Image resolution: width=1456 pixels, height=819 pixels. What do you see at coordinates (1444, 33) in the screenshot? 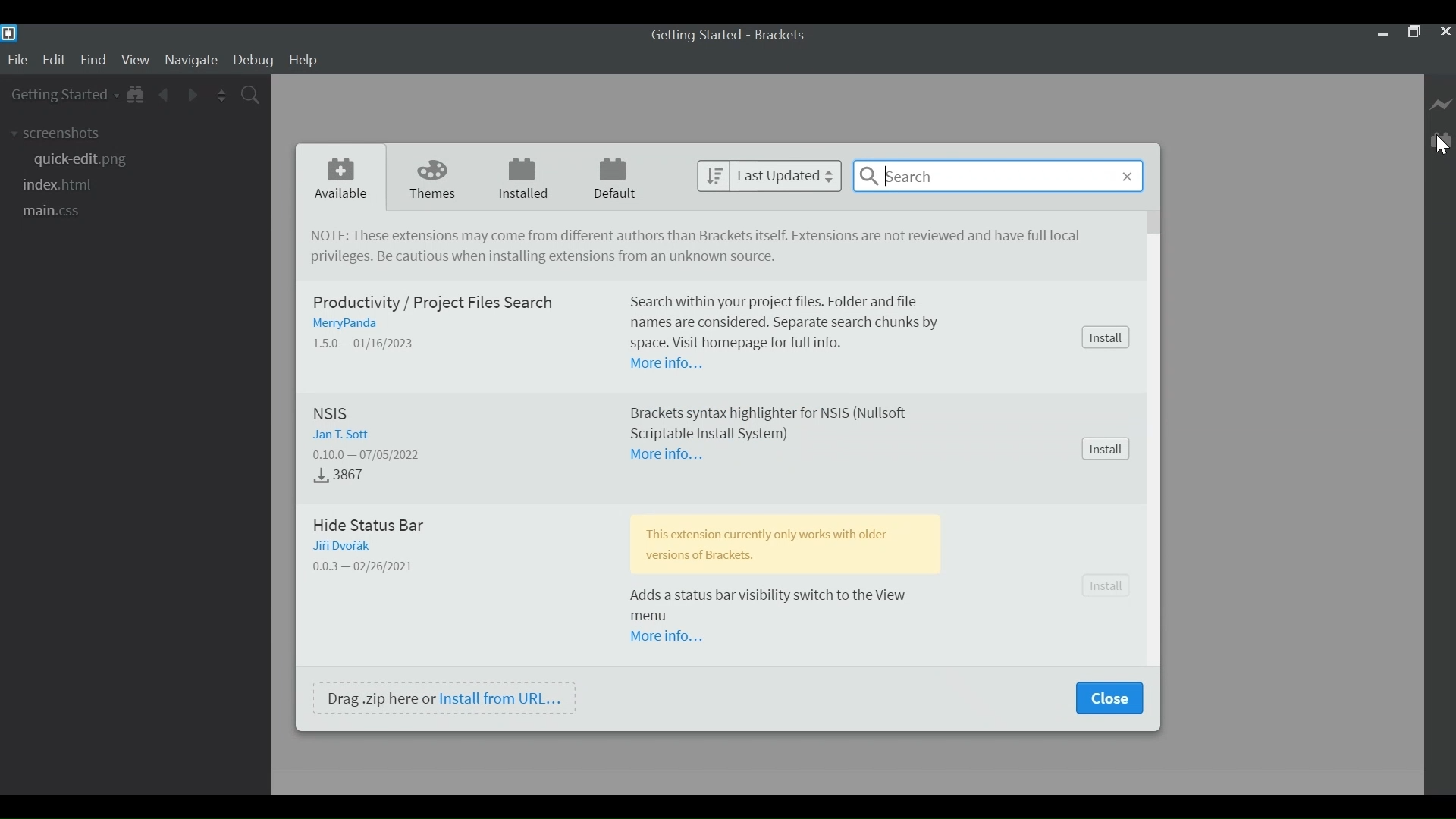
I see `Close` at bounding box center [1444, 33].